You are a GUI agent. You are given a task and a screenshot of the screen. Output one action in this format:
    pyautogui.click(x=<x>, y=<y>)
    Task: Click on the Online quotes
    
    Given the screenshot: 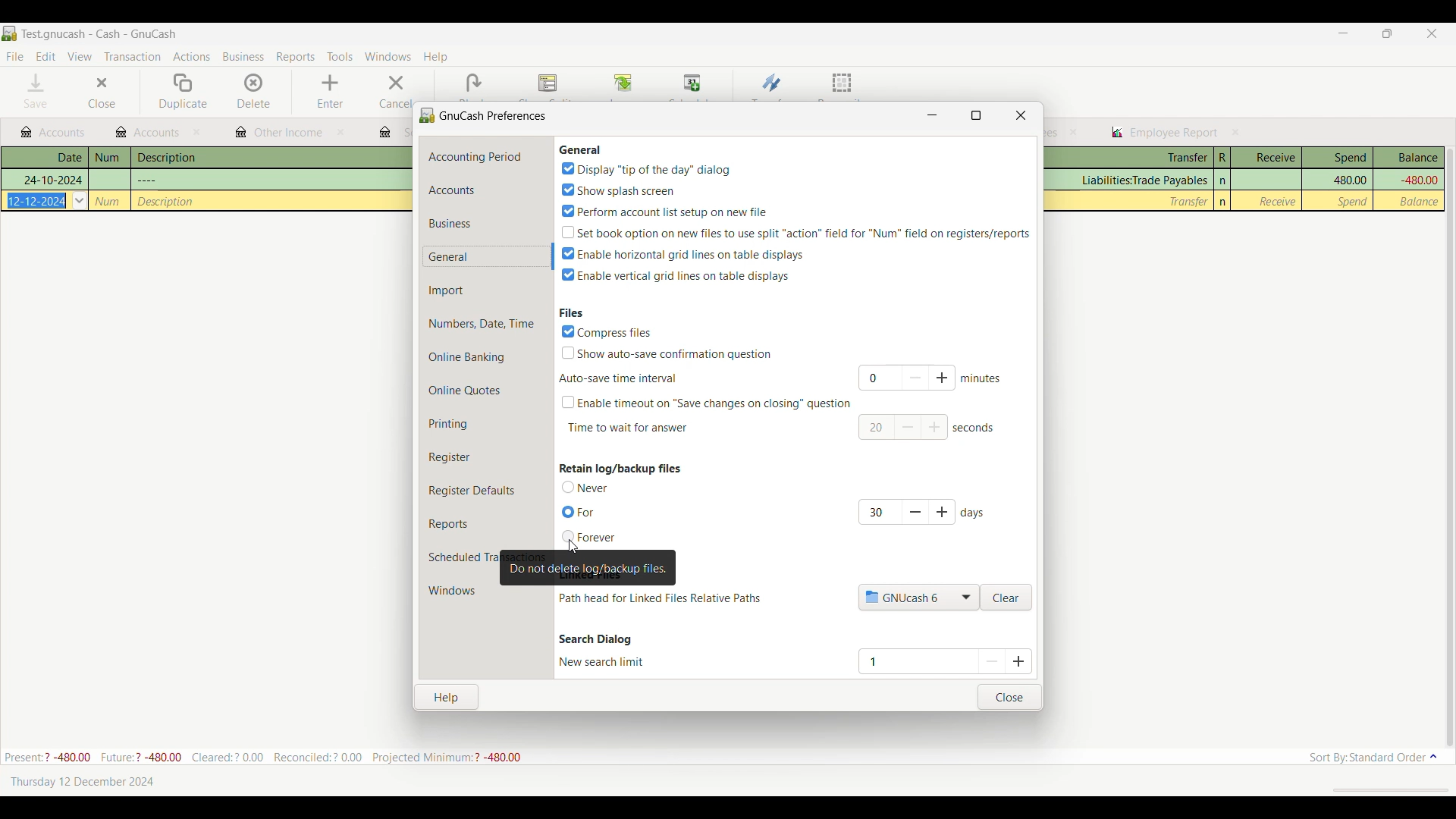 What is the action you would take?
    pyautogui.click(x=486, y=391)
    